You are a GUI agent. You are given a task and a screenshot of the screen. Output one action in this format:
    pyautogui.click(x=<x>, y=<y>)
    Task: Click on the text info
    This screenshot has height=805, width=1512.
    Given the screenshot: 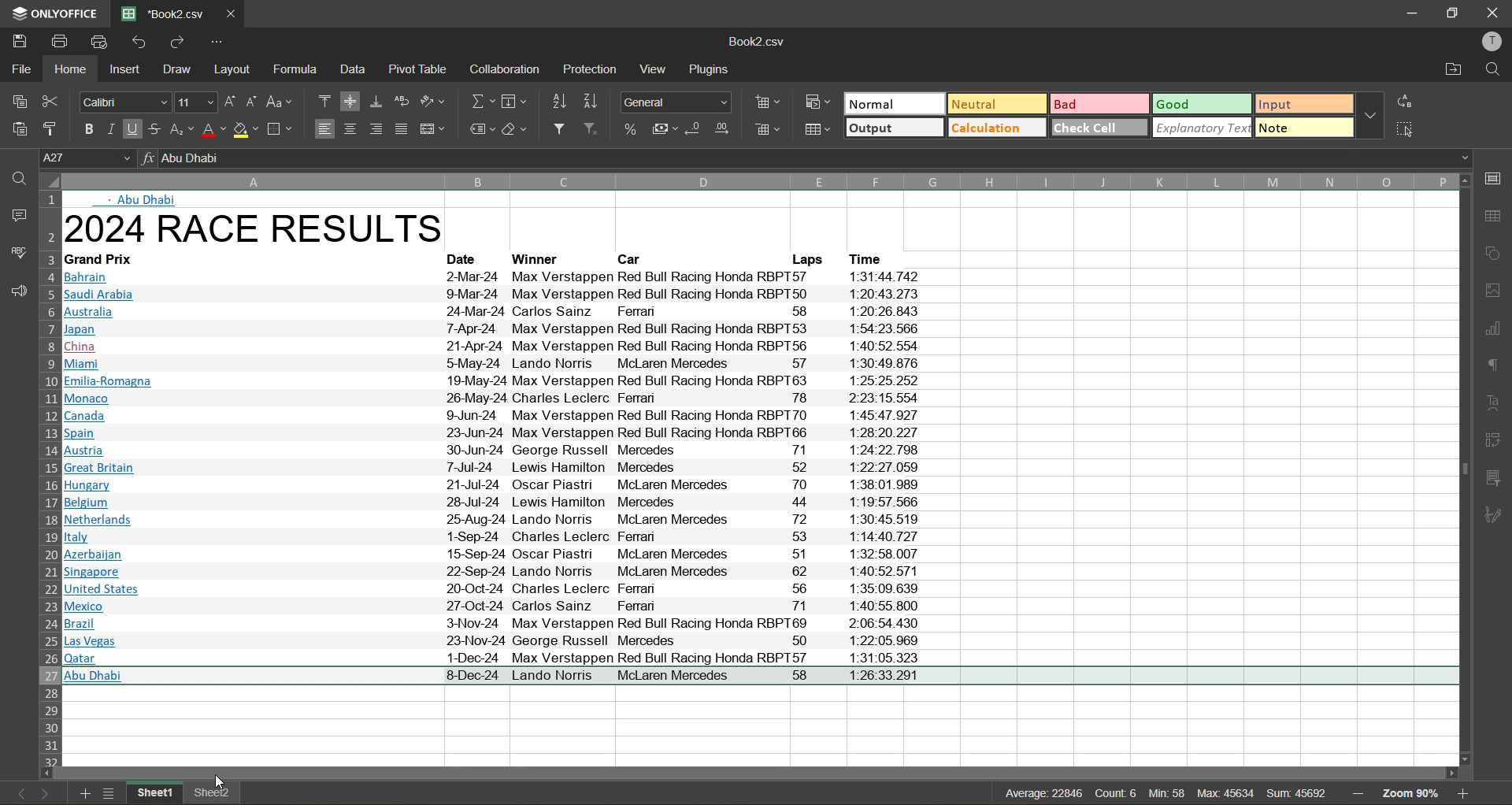 What is the action you would take?
    pyautogui.click(x=492, y=382)
    